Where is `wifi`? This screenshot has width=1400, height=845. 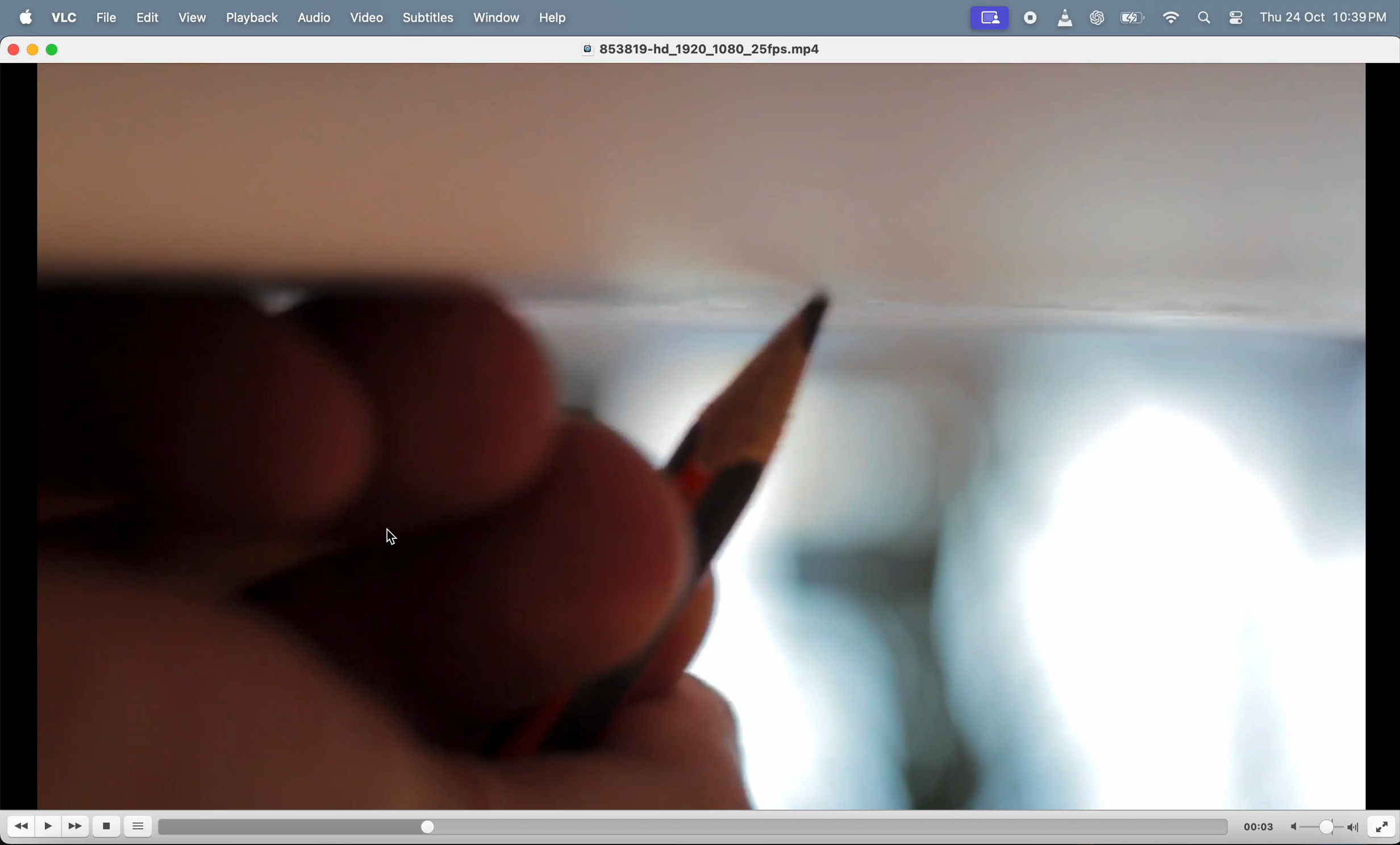 wifi is located at coordinates (1173, 20).